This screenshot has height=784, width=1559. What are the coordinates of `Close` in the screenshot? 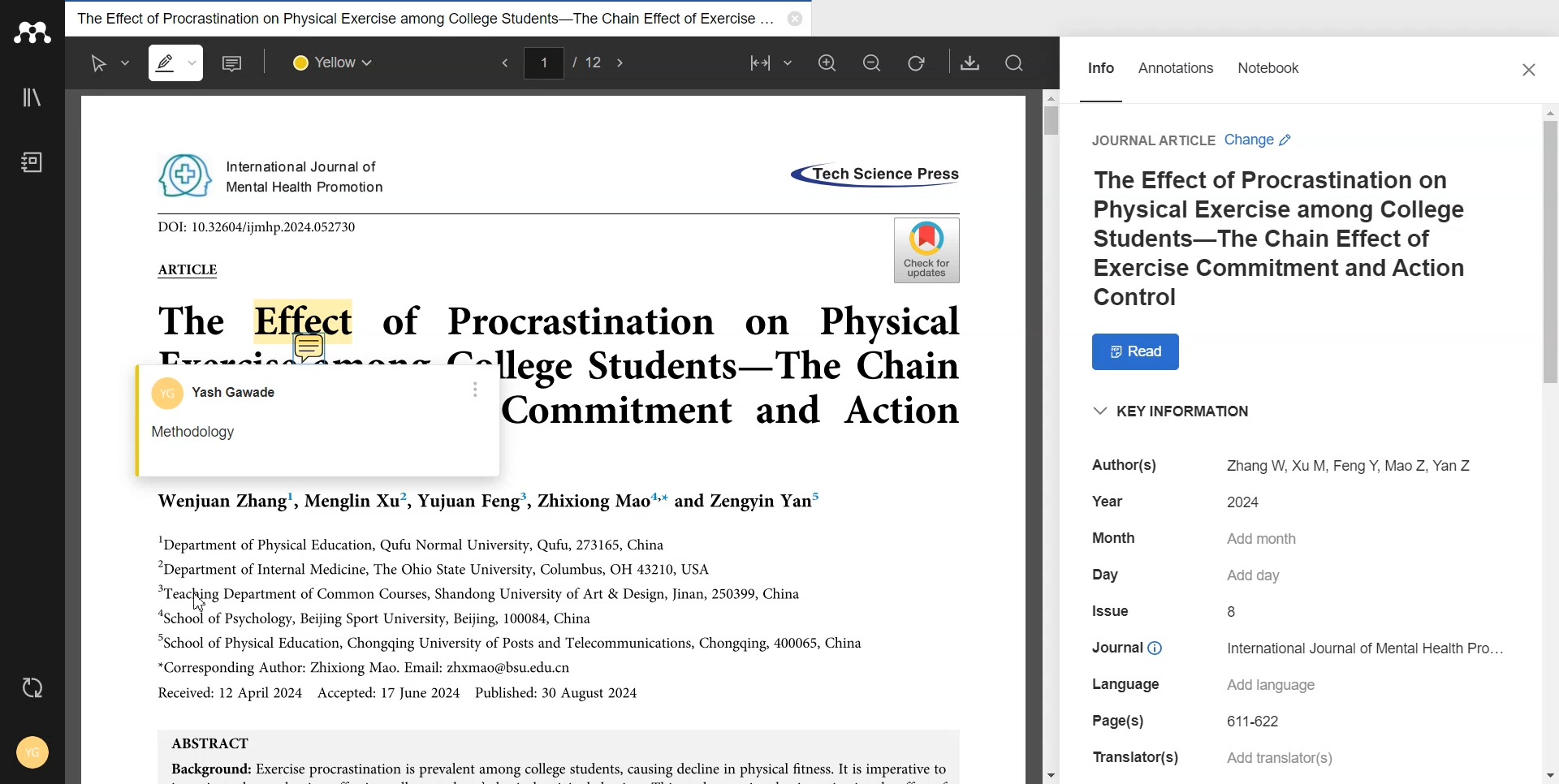 It's located at (1532, 72).